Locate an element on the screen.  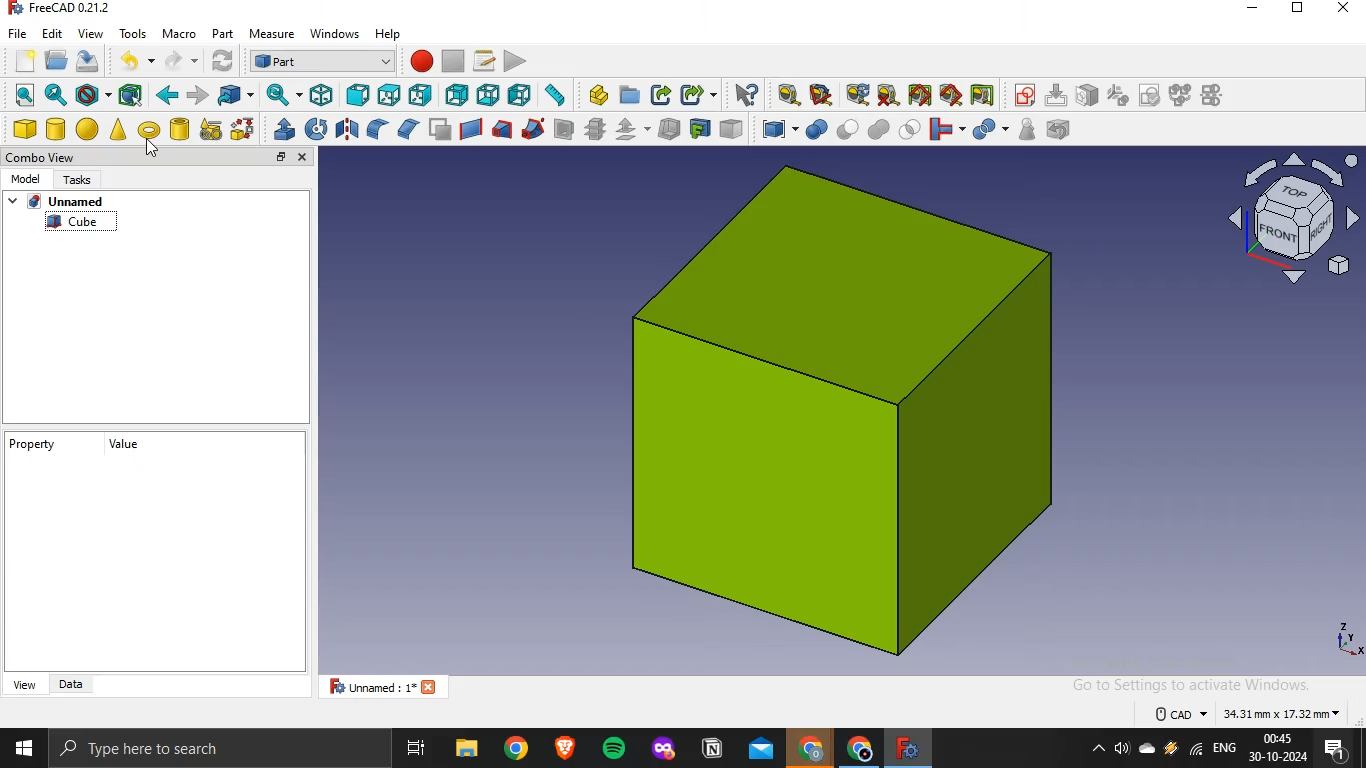
time and date is located at coordinates (1277, 751).